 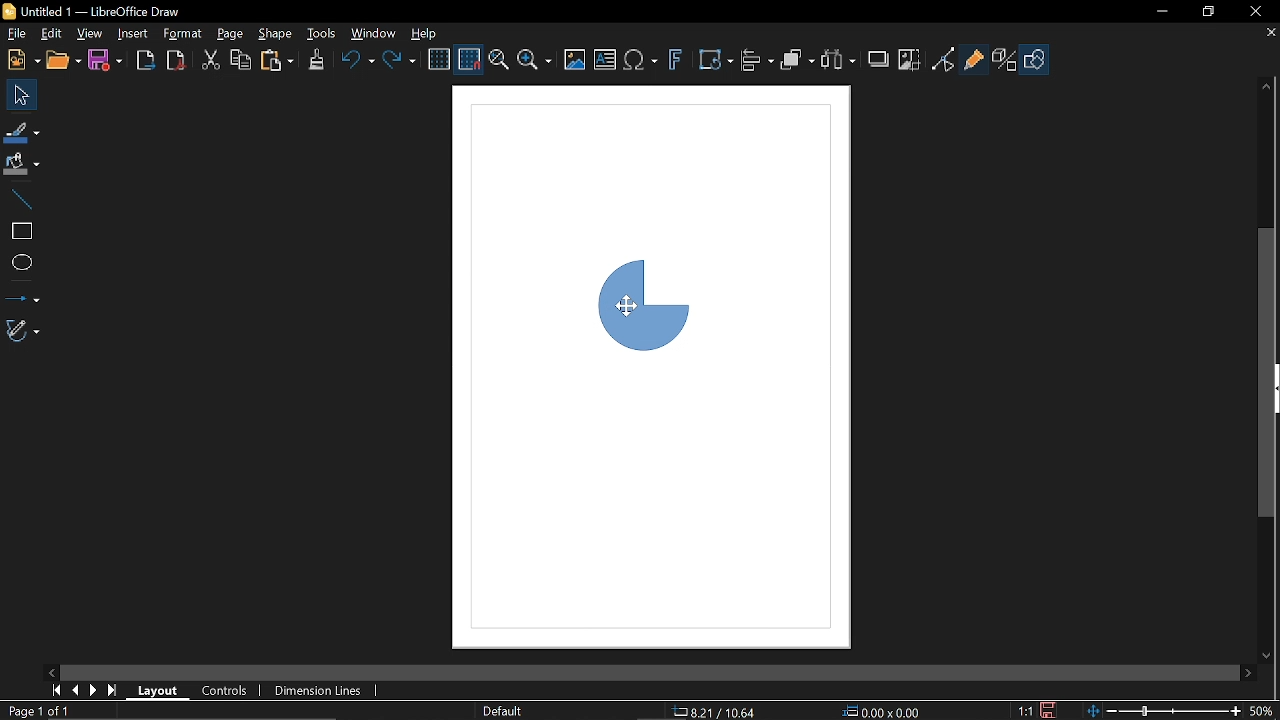 I want to click on Insert, so click(x=133, y=33).